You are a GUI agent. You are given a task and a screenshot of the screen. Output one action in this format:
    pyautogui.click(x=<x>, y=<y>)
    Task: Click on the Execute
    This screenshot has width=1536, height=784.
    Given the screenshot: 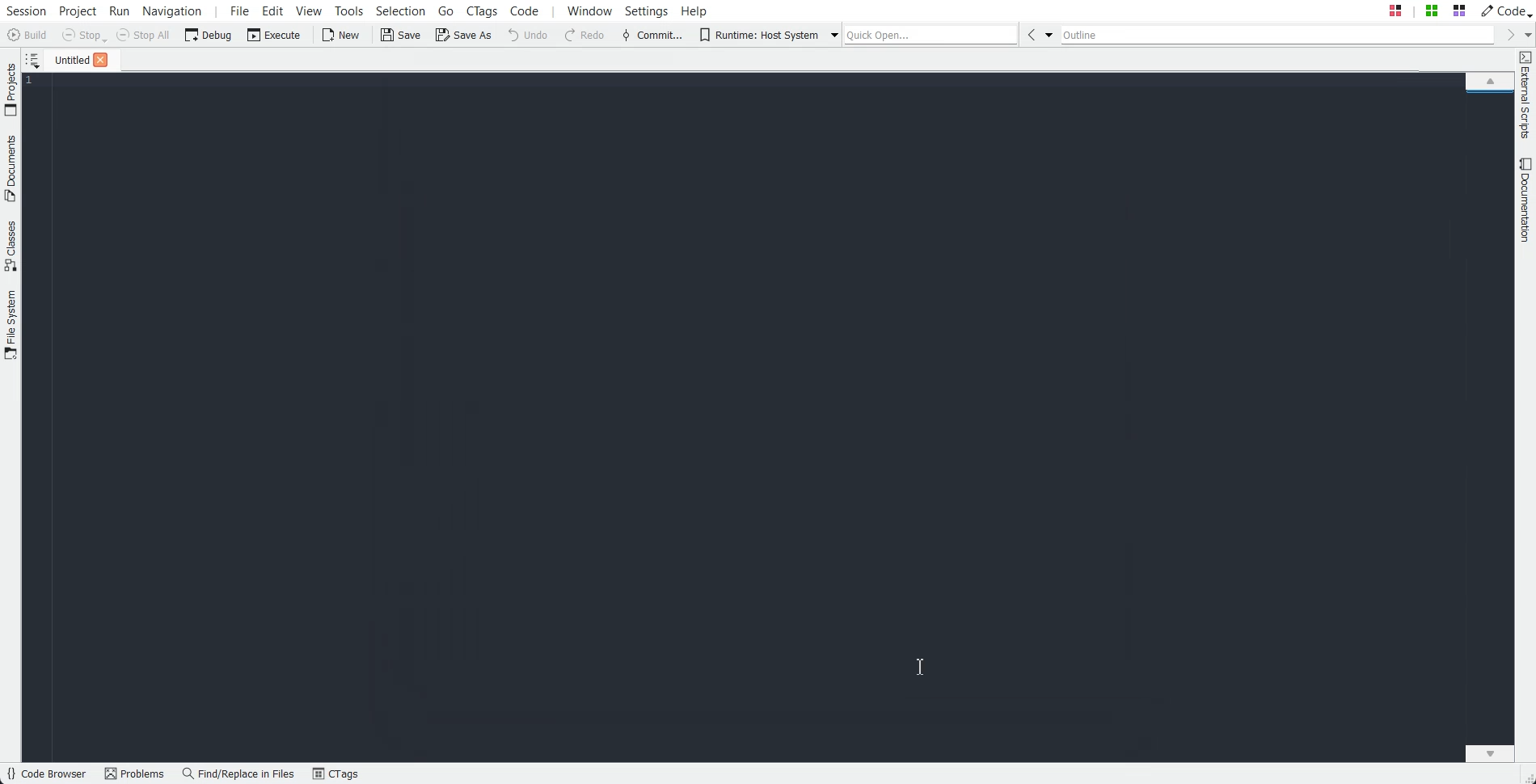 What is the action you would take?
    pyautogui.click(x=274, y=34)
    